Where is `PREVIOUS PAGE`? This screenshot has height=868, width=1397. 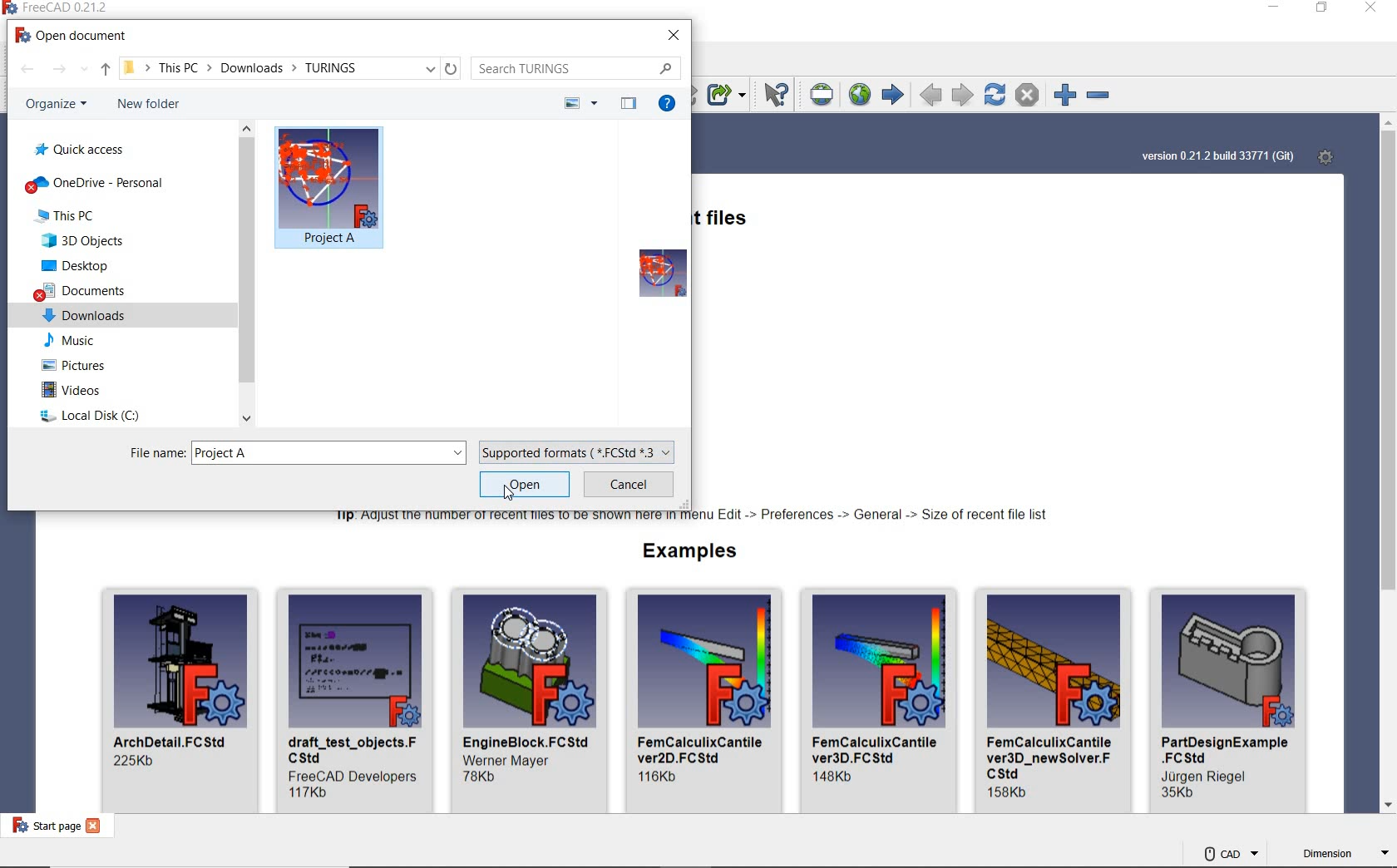
PREVIOUS PAGE is located at coordinates (931, 96).